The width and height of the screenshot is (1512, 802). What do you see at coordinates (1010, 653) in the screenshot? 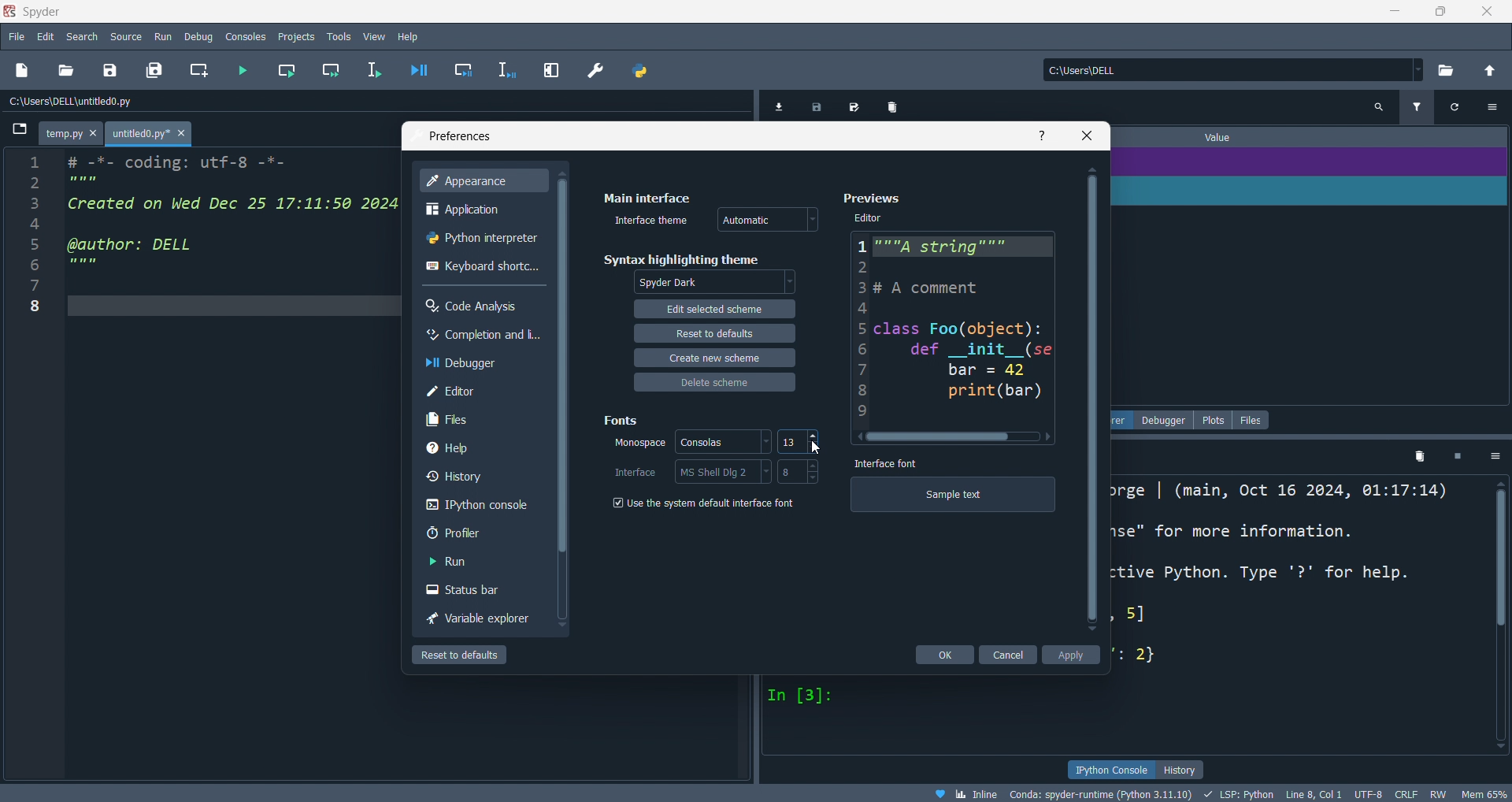
I see `cancel` at bounding box center [1010, 653].